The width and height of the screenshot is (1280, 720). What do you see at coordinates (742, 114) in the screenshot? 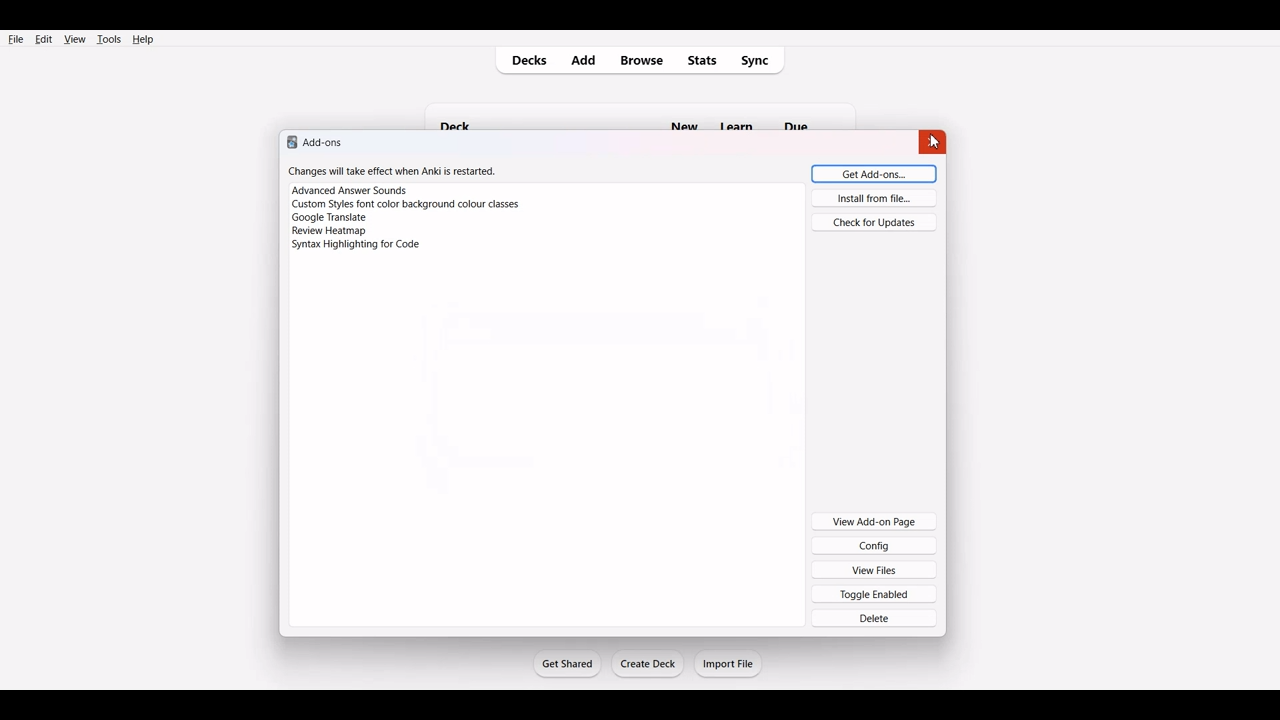
I see `` at bounding box center [742, 114].